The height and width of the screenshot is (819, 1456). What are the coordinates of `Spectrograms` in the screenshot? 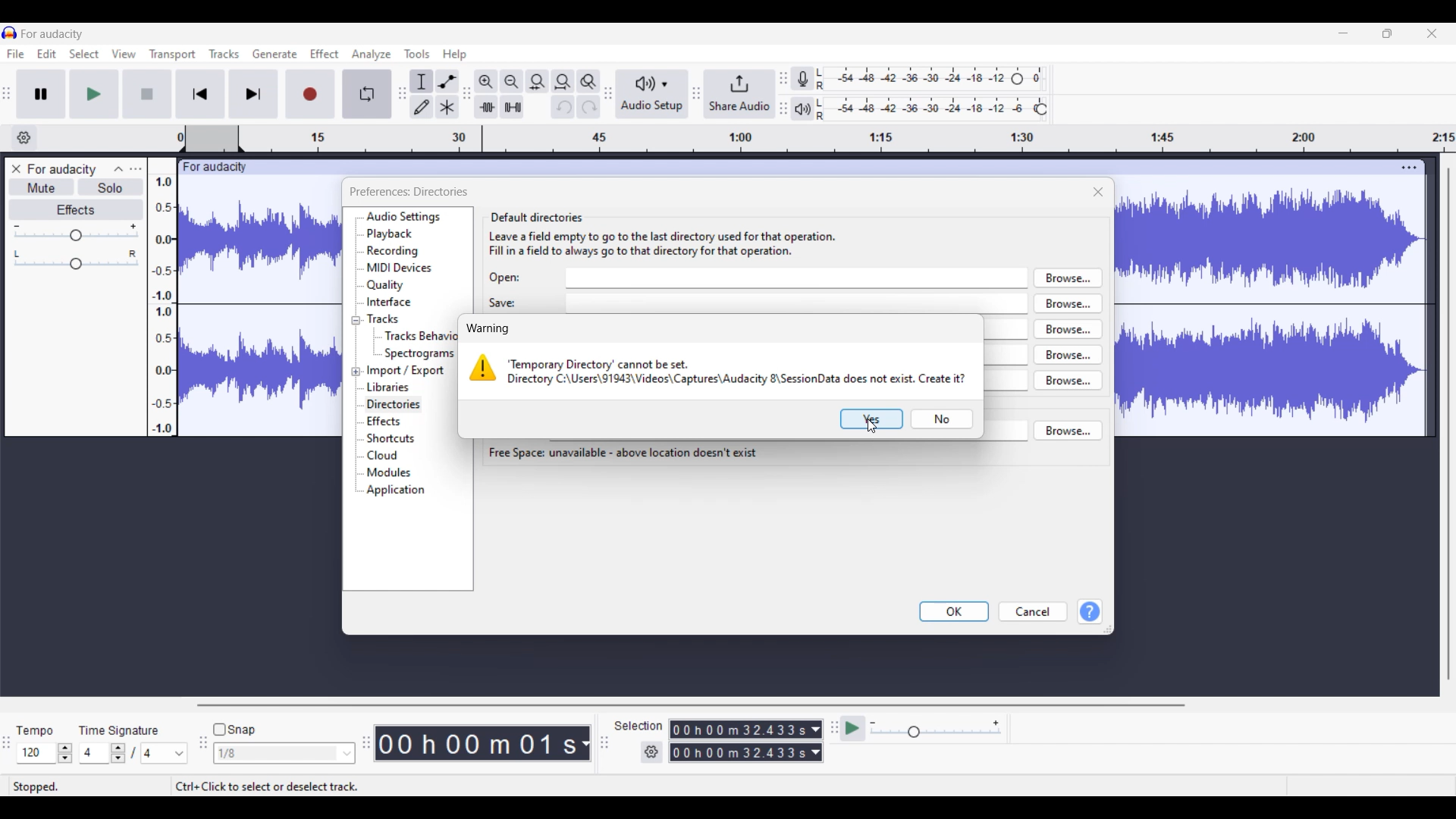 It's located at (421, 354).